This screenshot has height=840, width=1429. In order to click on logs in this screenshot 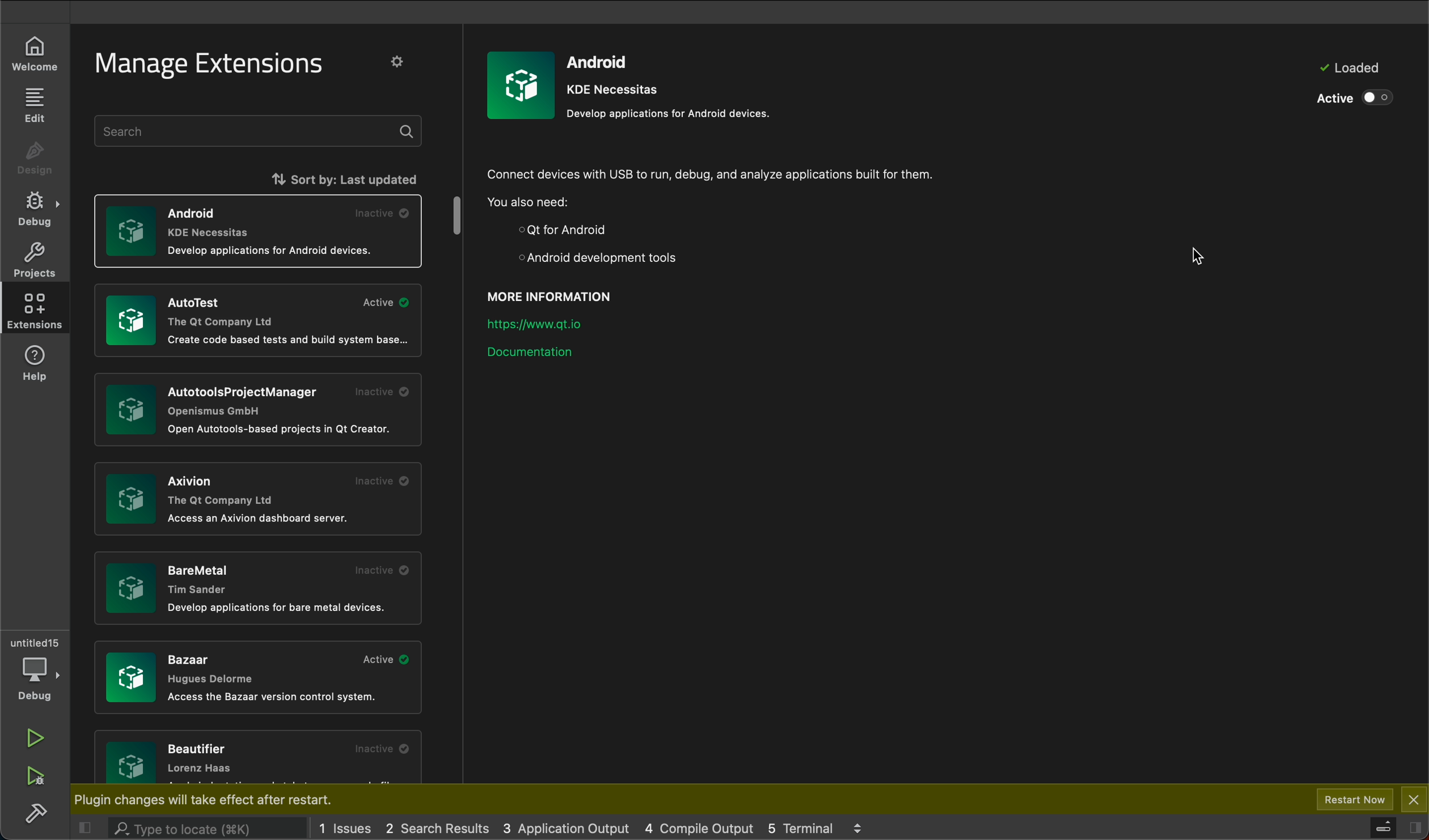, I will do `click(349, 826)`.